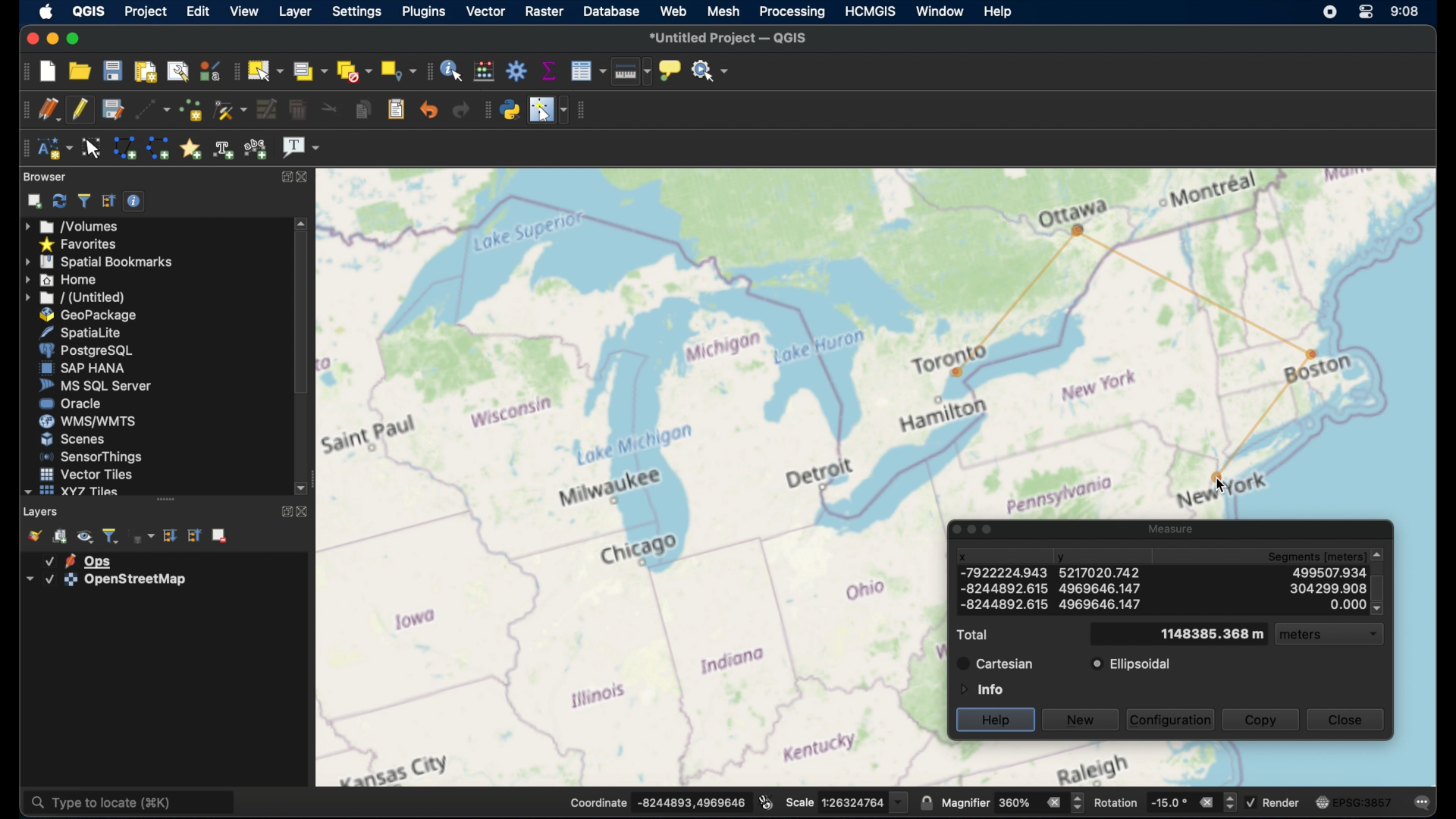  I want to click on spatiallite, so click(93, 331).